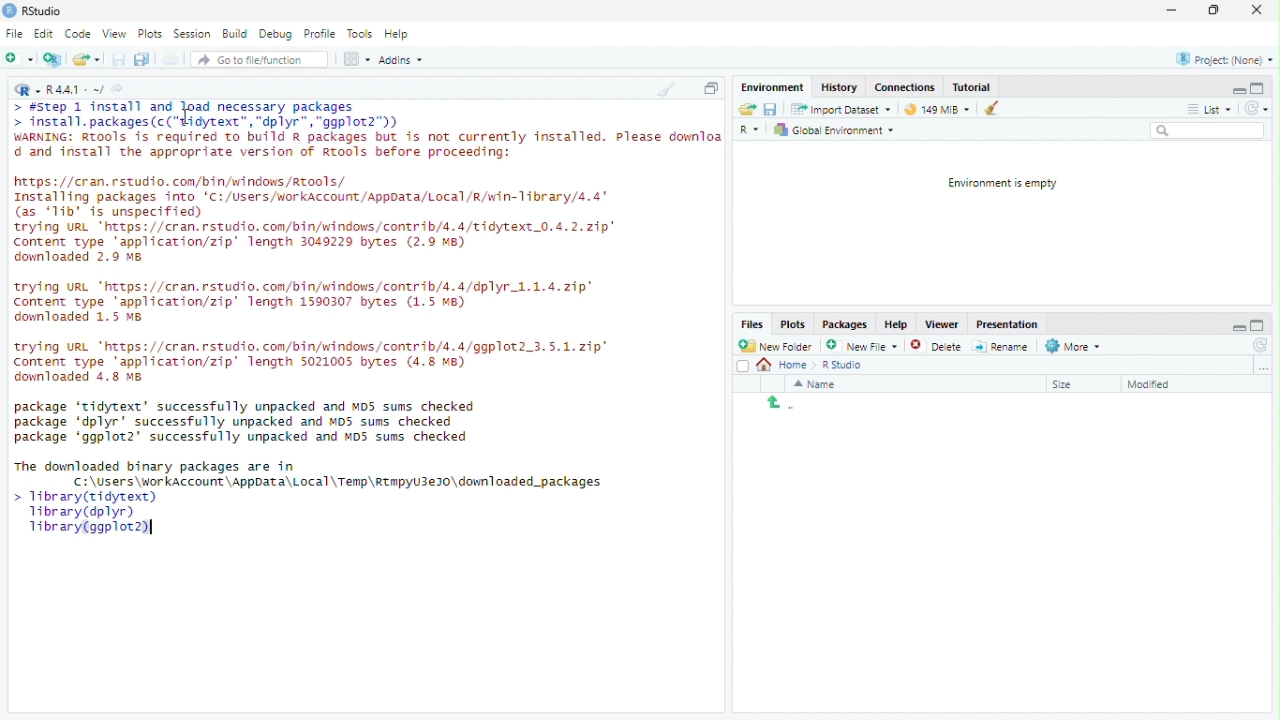 The image size is (1280, 720). What do you see at coordinates (844, 366) in the screenshot?
I see `R Studio` at bounding box center [844, 366].